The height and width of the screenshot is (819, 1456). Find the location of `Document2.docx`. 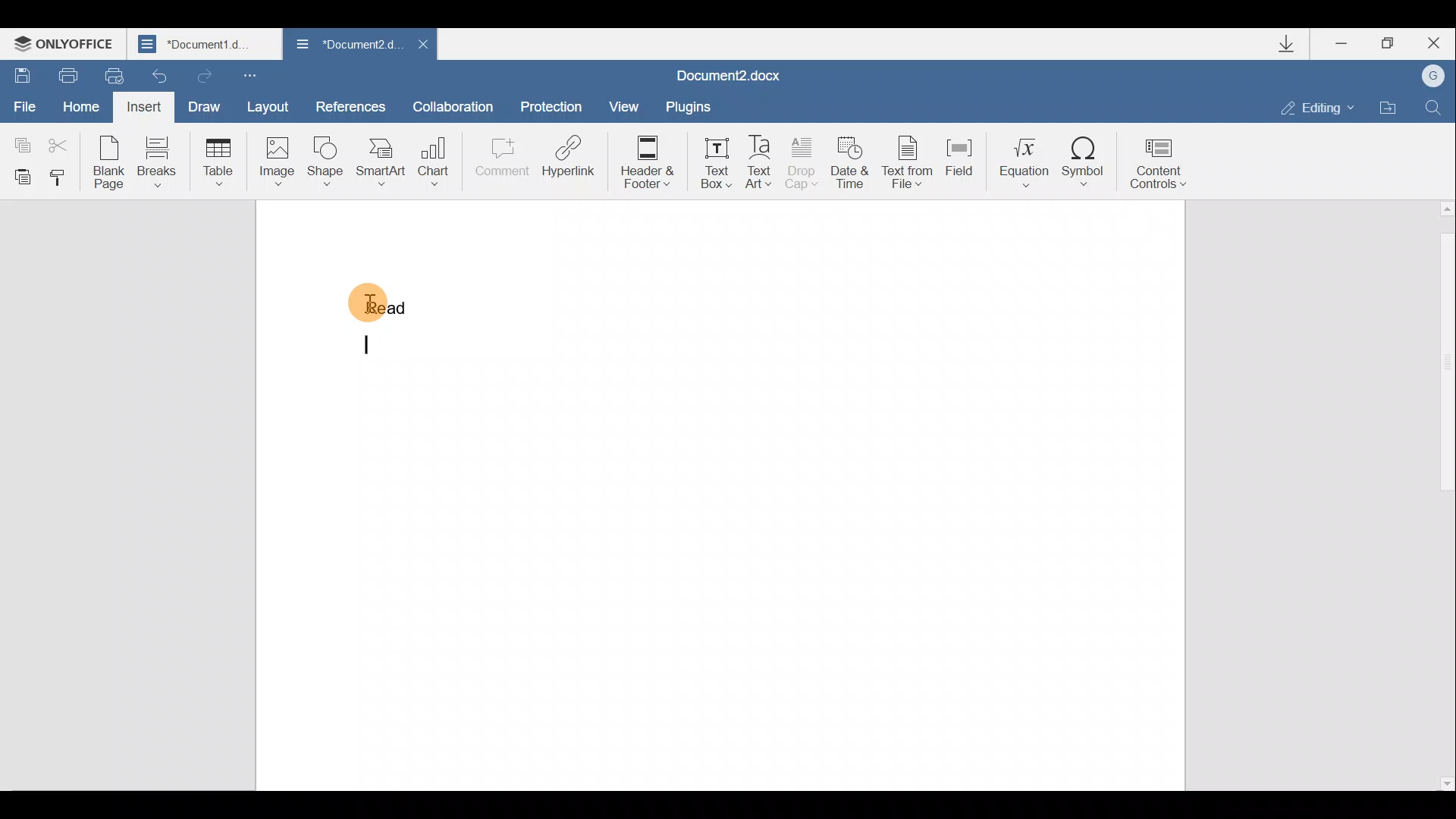

Document2.docx is located at coordinates (729, 75).